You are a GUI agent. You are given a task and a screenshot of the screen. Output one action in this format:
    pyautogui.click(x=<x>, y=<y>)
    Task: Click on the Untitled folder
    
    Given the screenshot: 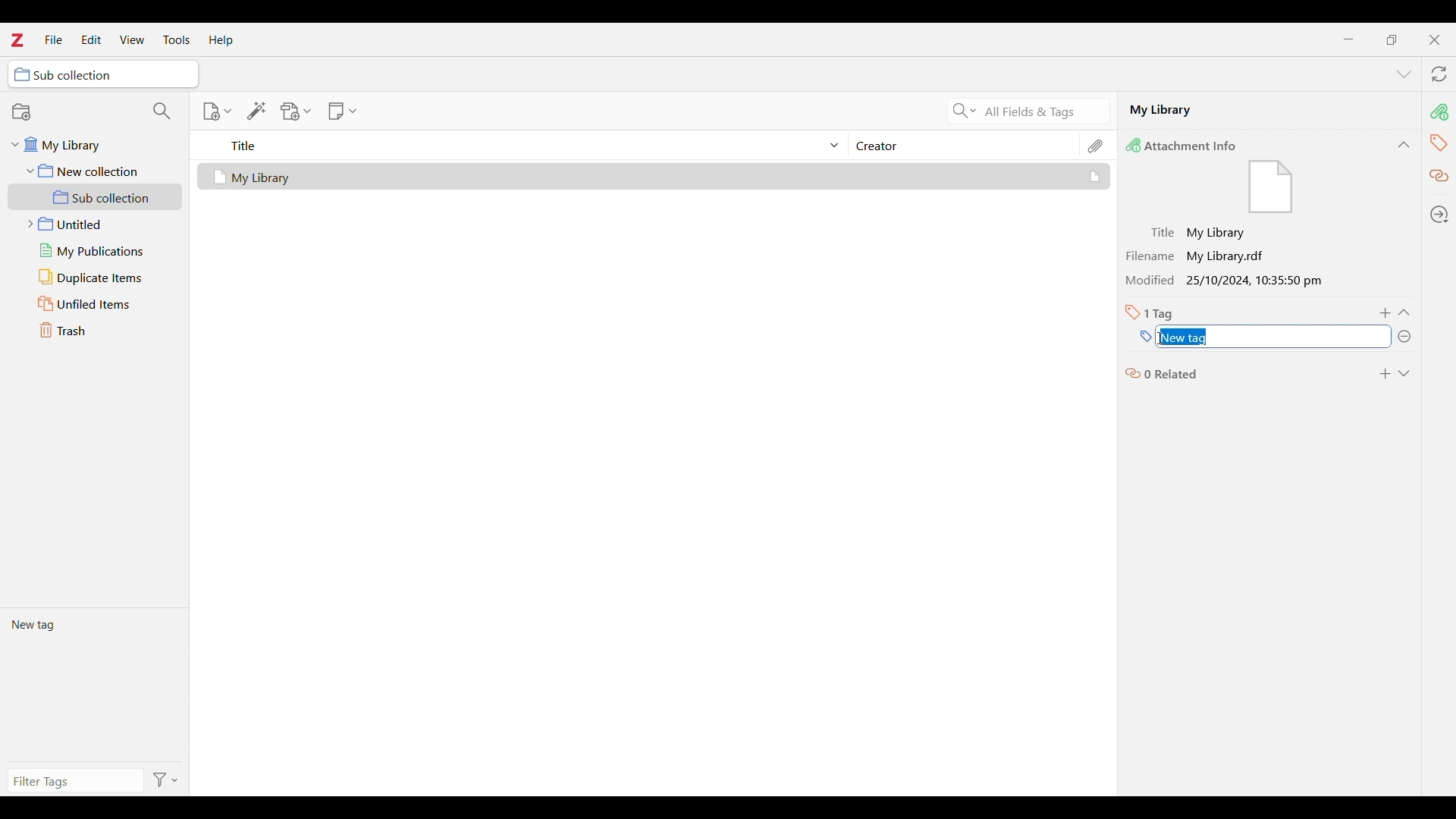 What is the action you would take?
    pyautogui.click(x=92, y=222)
    